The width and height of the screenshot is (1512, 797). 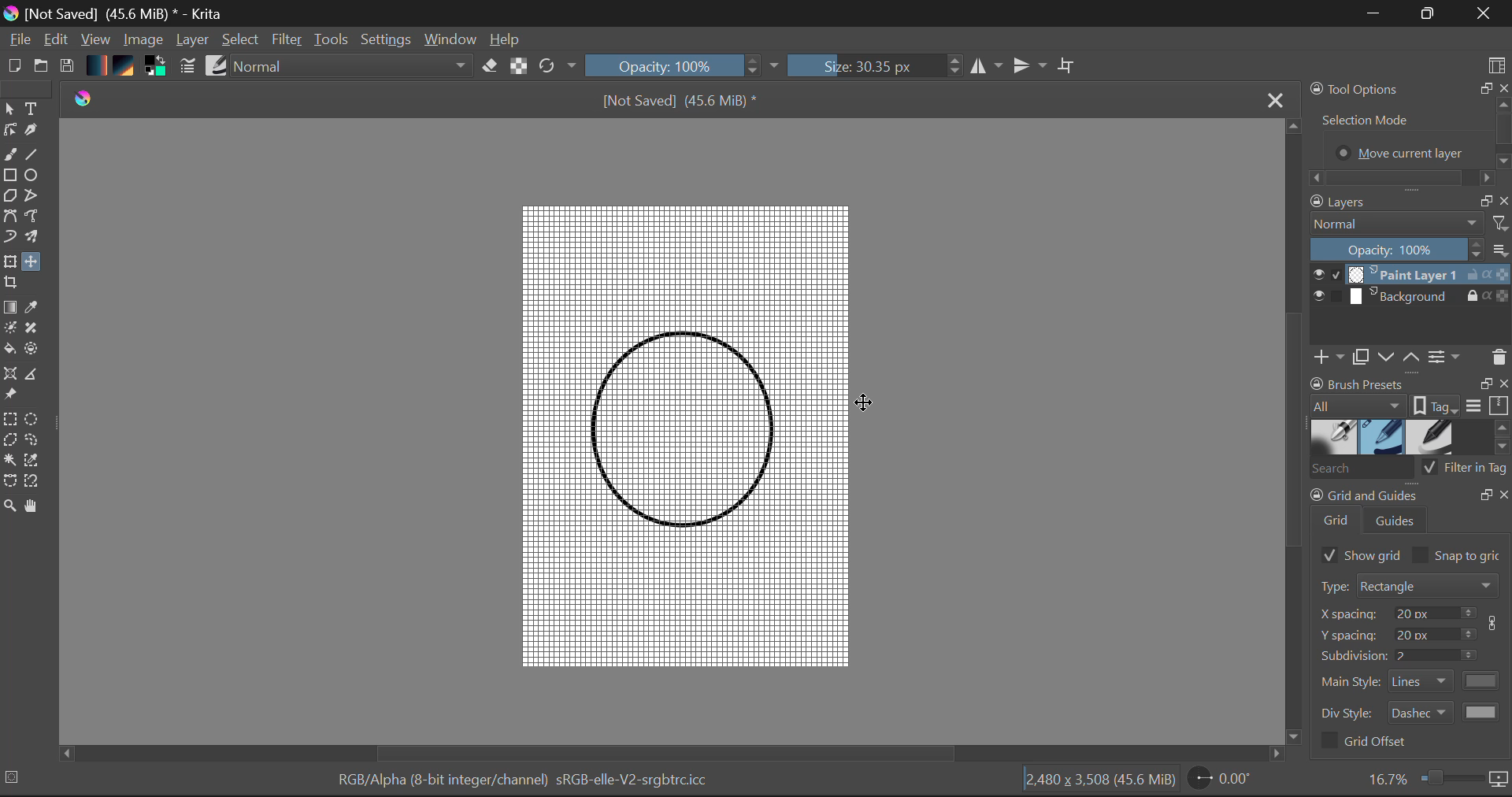 I want to click on Polyline, so click(x=32, y=194).